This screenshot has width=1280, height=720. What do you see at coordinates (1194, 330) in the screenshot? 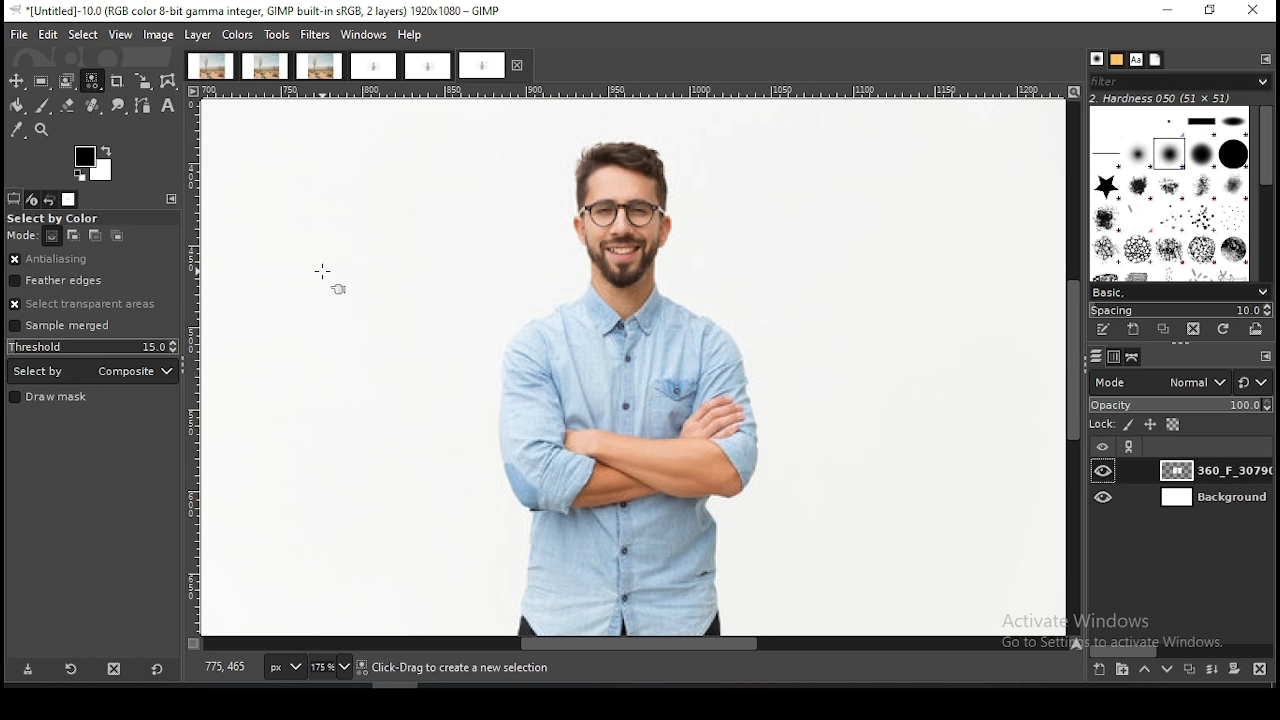
I see `delete brush` at bounding box center [1194, 330].